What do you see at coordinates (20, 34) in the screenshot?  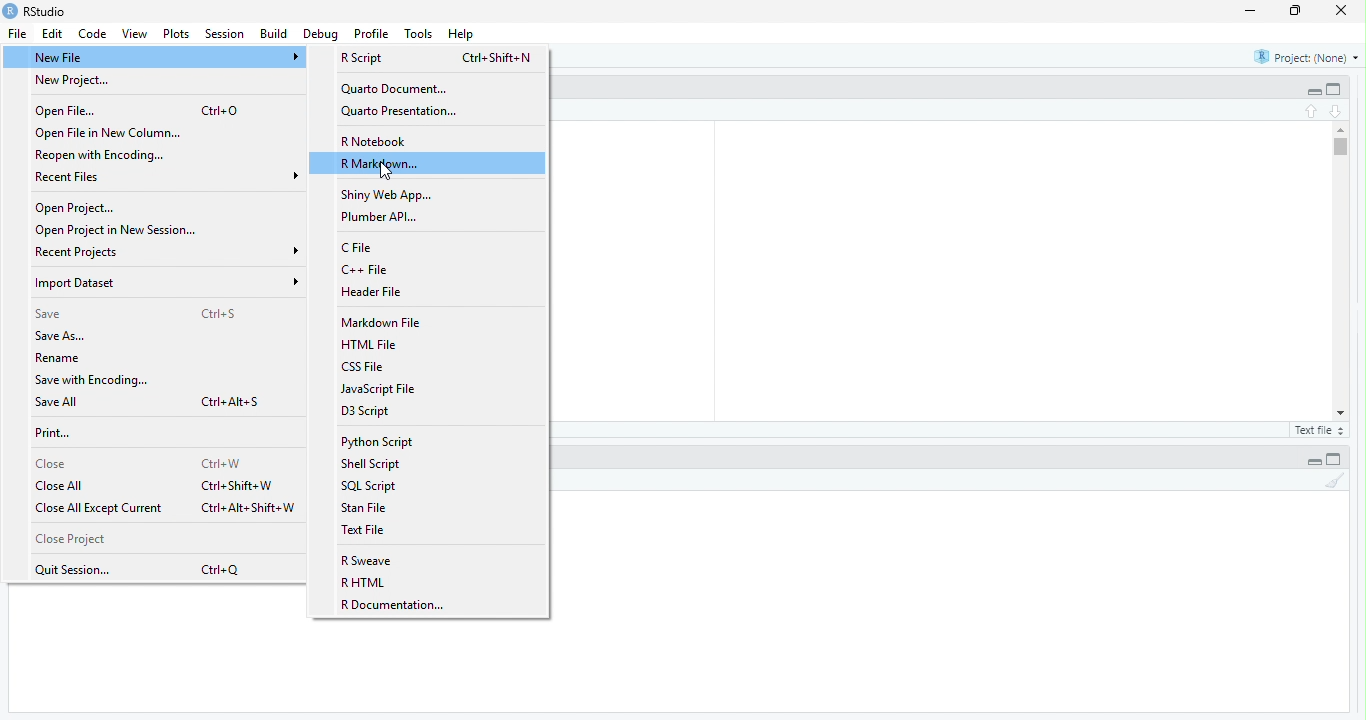 I see `File` at bounding box center [20, 34].